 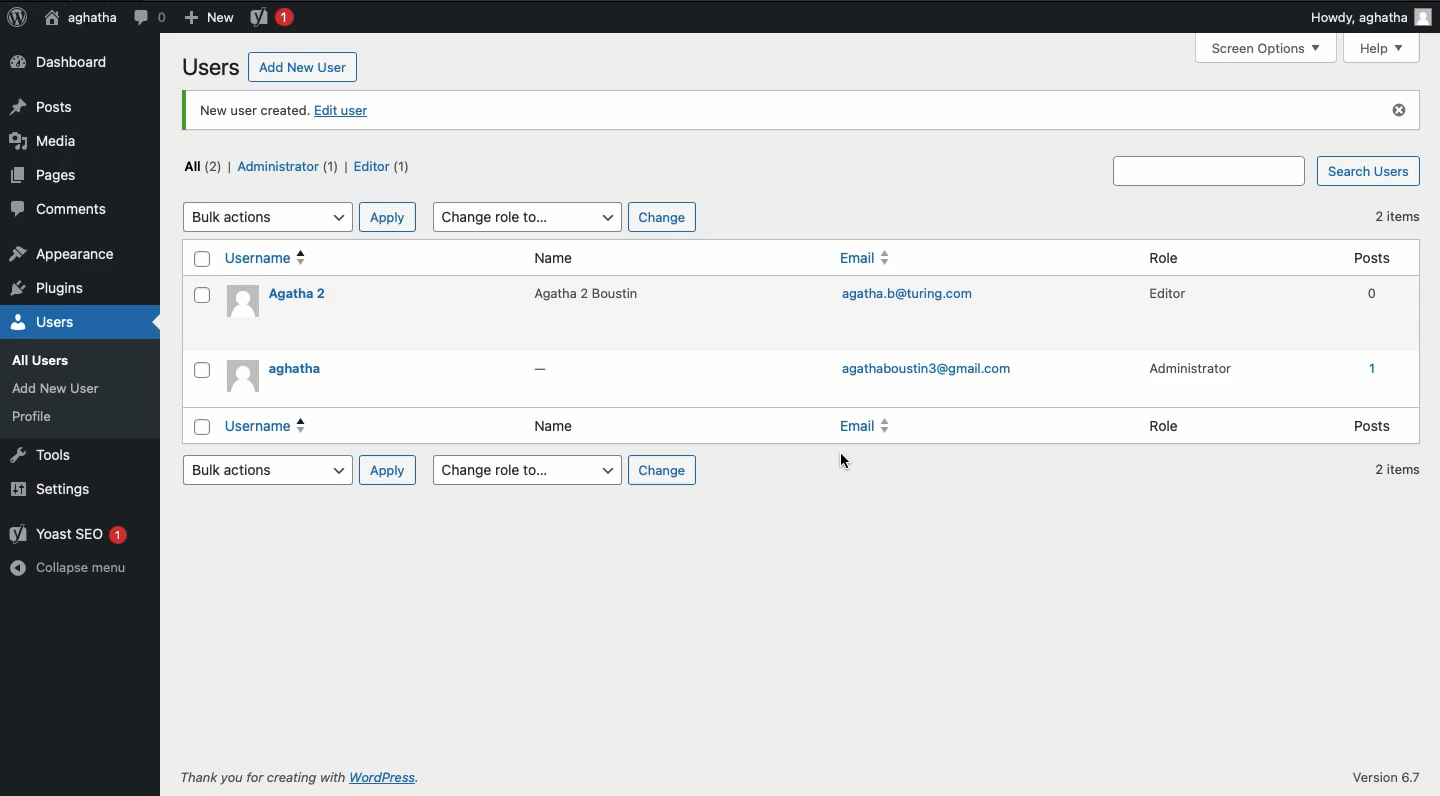 I want to click on Agatha 2 Boustin, so click(x=584, y=292).